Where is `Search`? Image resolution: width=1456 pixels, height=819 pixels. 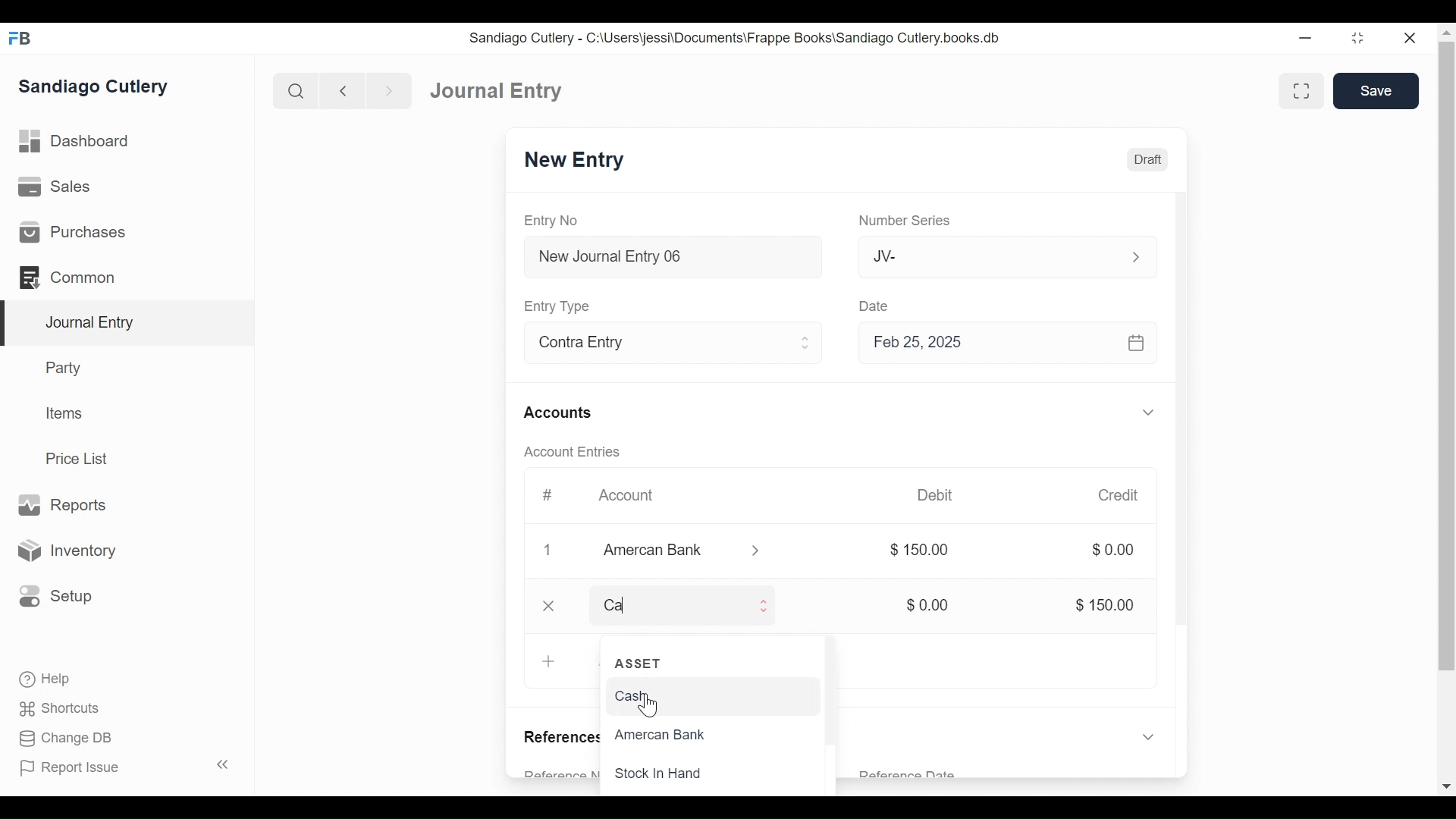 Search is located at coordinates (297, 91).